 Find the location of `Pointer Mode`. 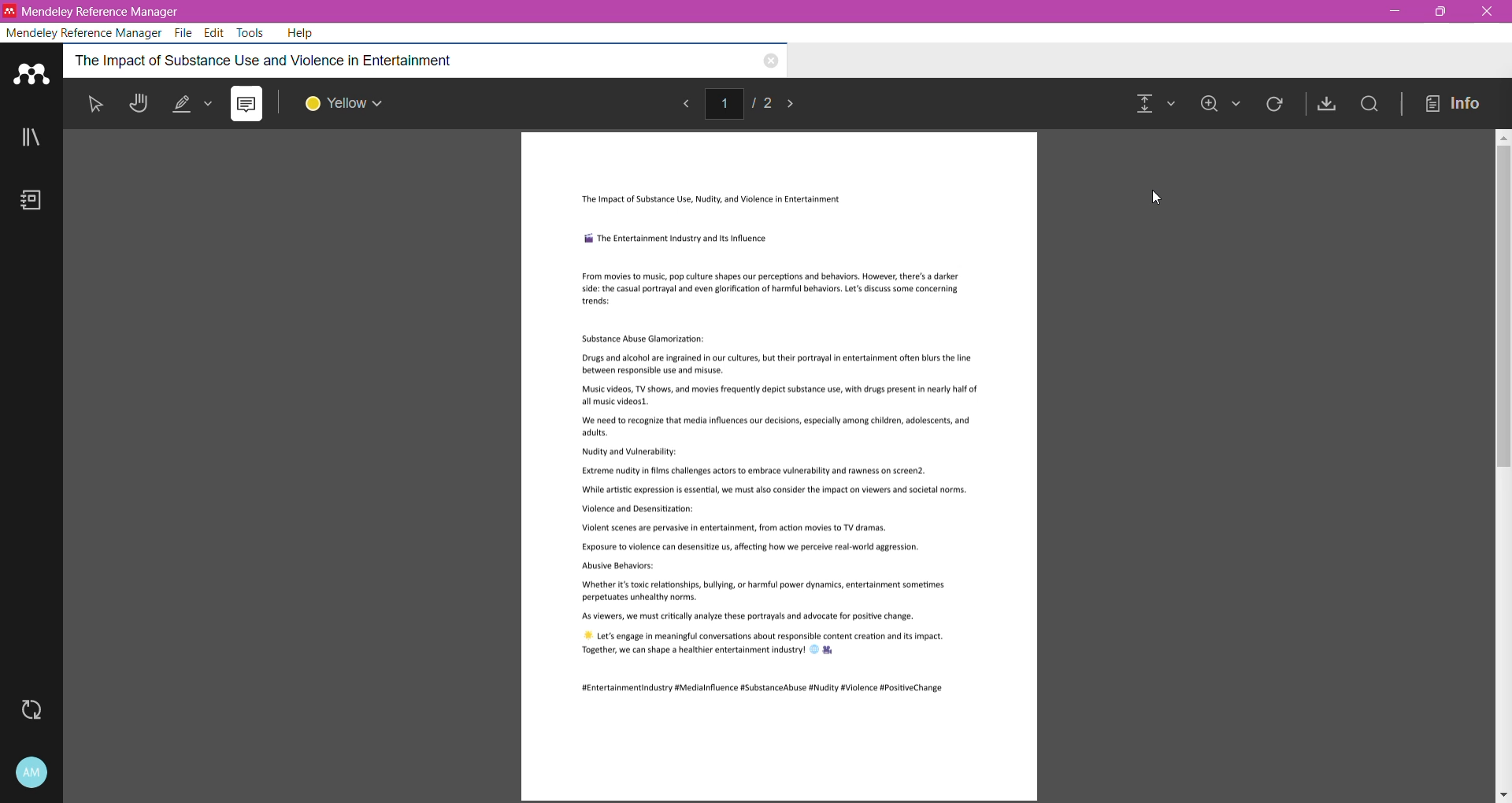

Pointer Mode is located at coordinates (99, 107).